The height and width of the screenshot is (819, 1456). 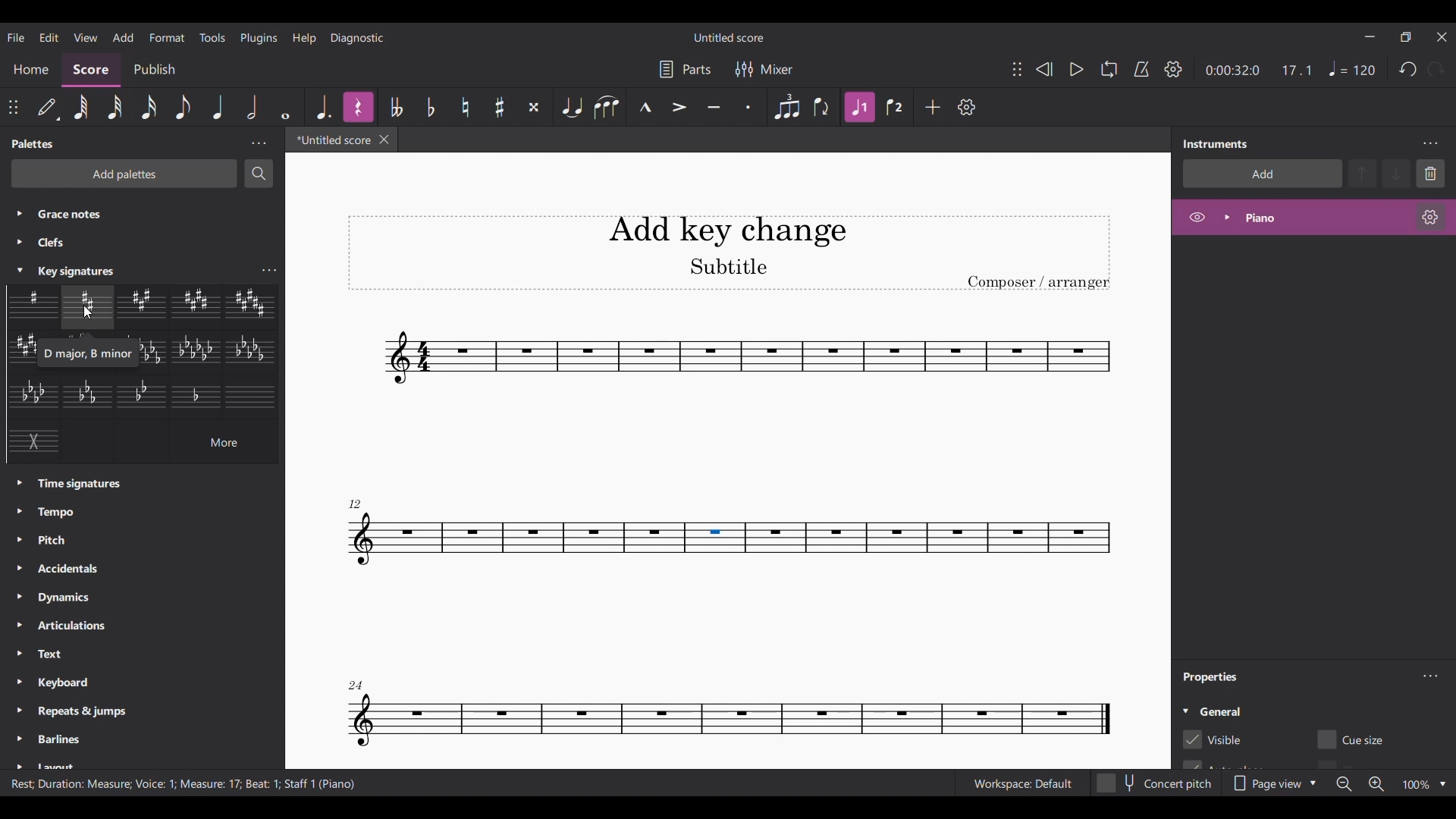 I want to click on File menu, so click(x=15, y=37).